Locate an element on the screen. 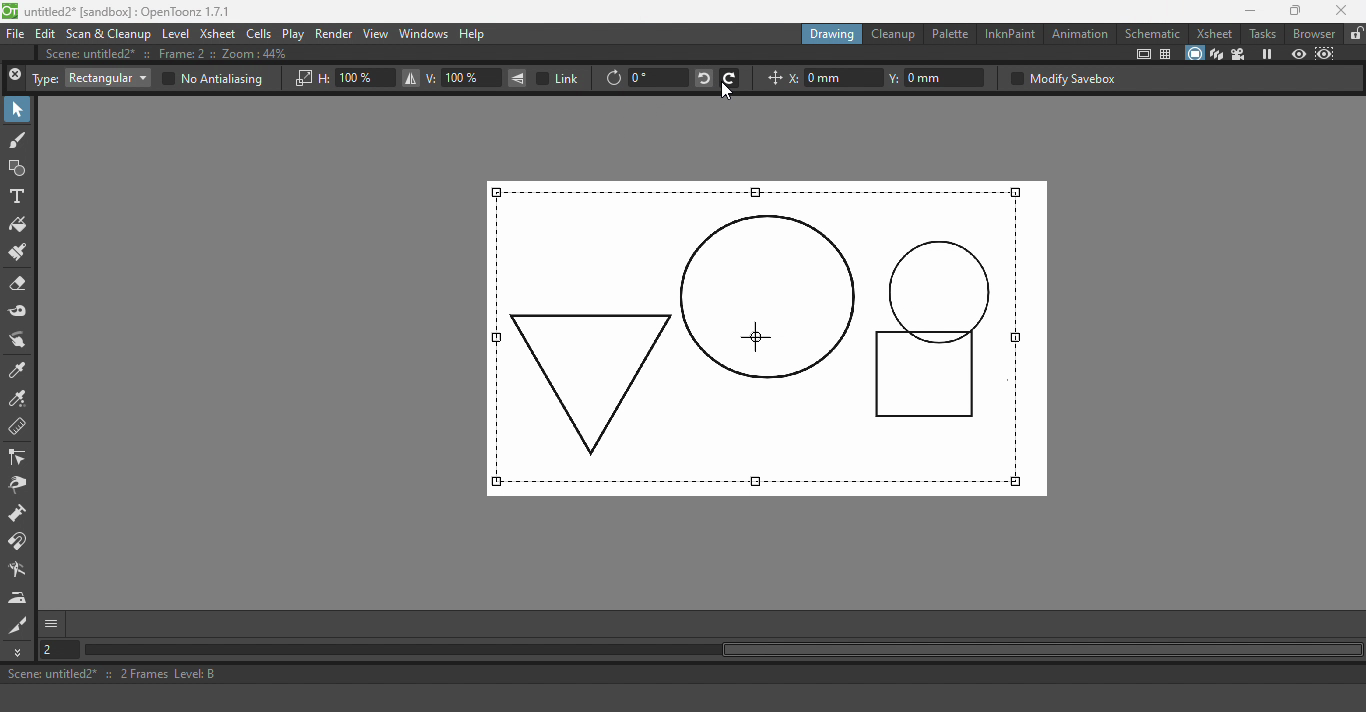  GUI show/hide is located at coordinates (53, 624).